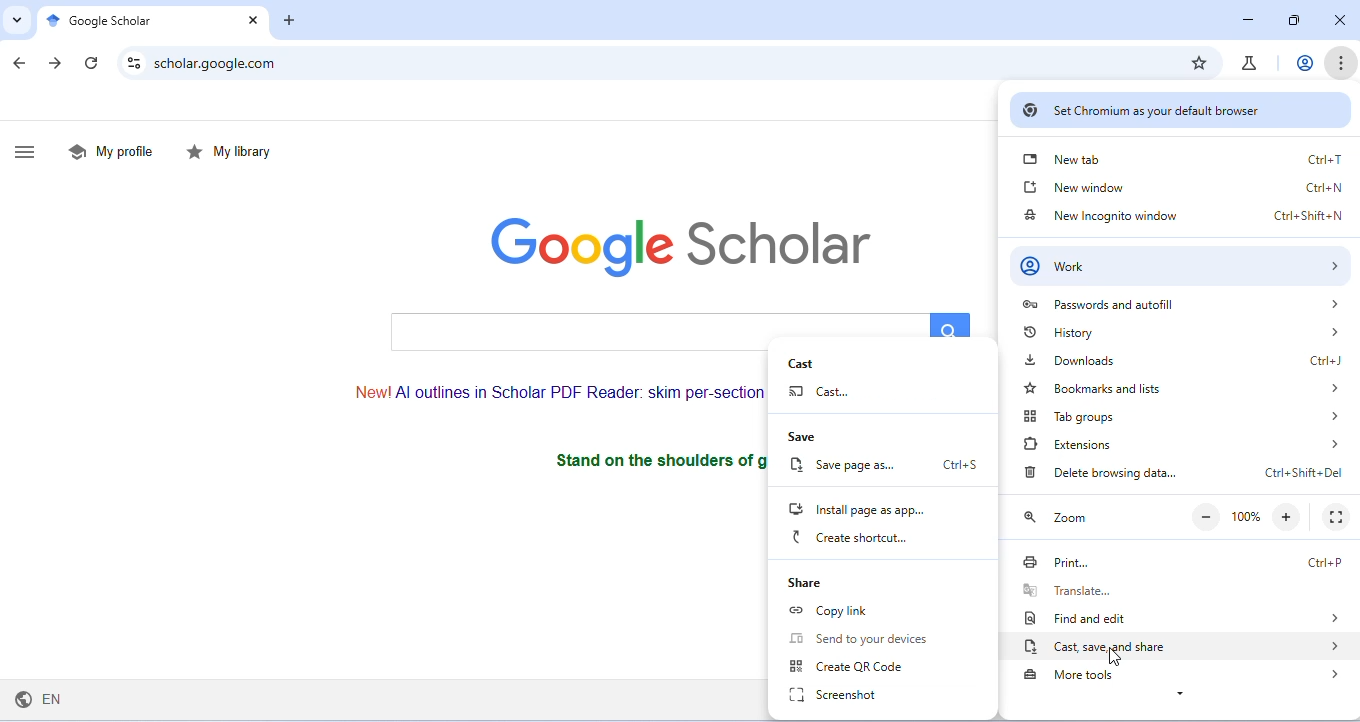 The image size is (1360, 722). Describe the element at coordinates (1302, 61) in the screenshot. I see `account` at that location.